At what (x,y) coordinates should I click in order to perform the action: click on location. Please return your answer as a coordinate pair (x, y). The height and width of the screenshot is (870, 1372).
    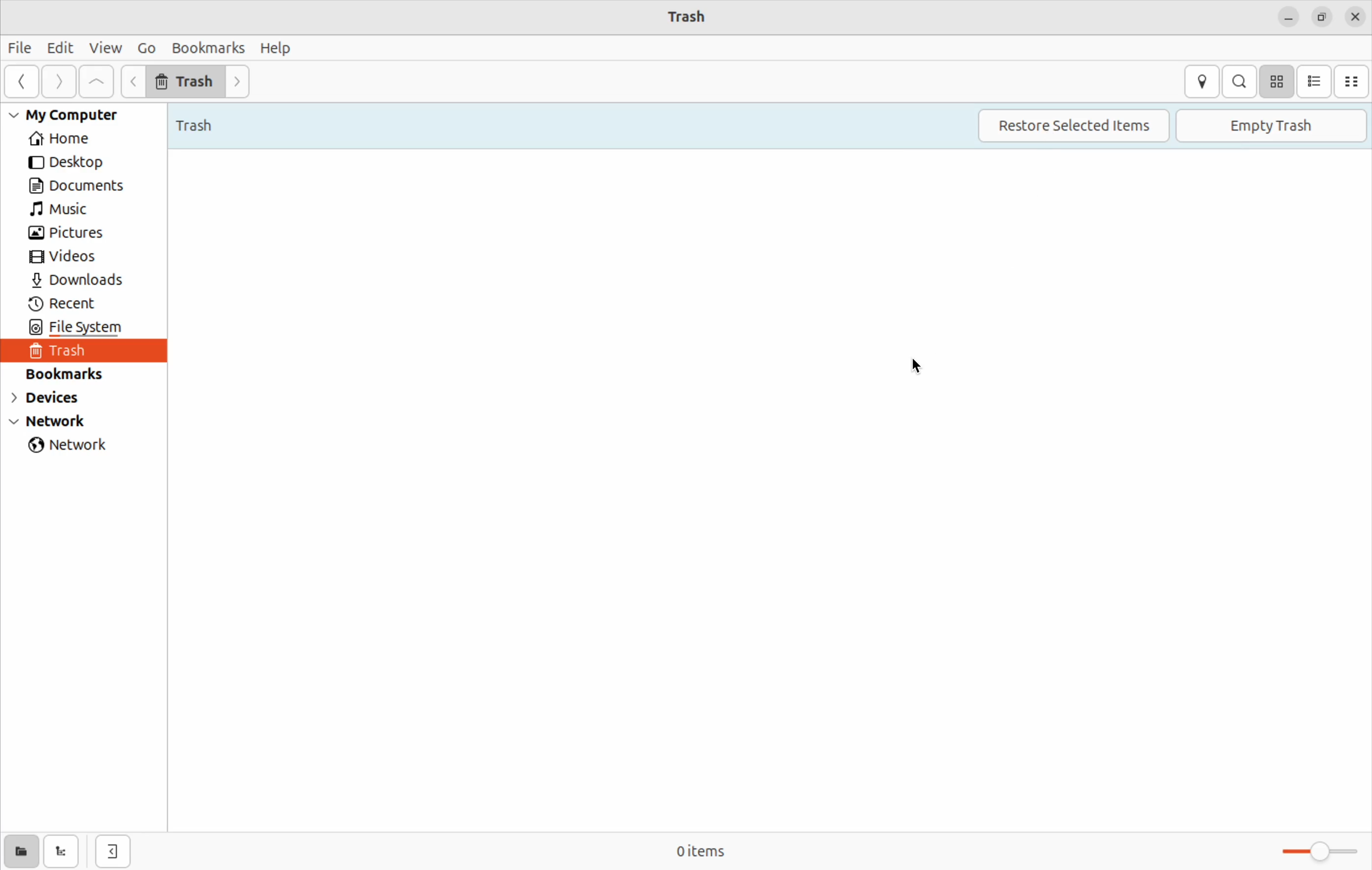
    Looking at the image, I should click on (1201, 81).